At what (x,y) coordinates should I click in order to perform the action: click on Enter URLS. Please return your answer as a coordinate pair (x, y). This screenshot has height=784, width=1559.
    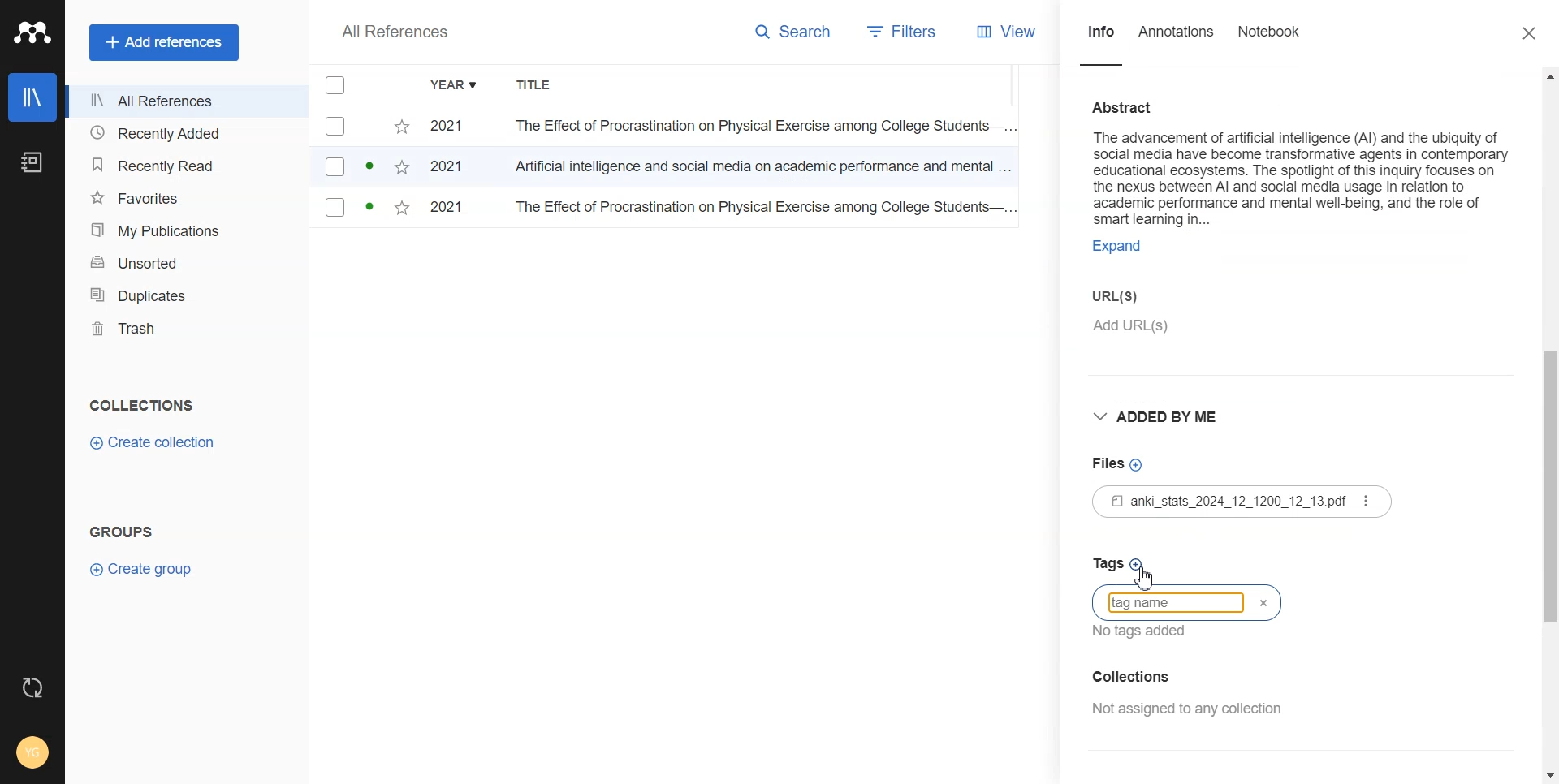
    Looking at the image, I should click on (1134, 293).